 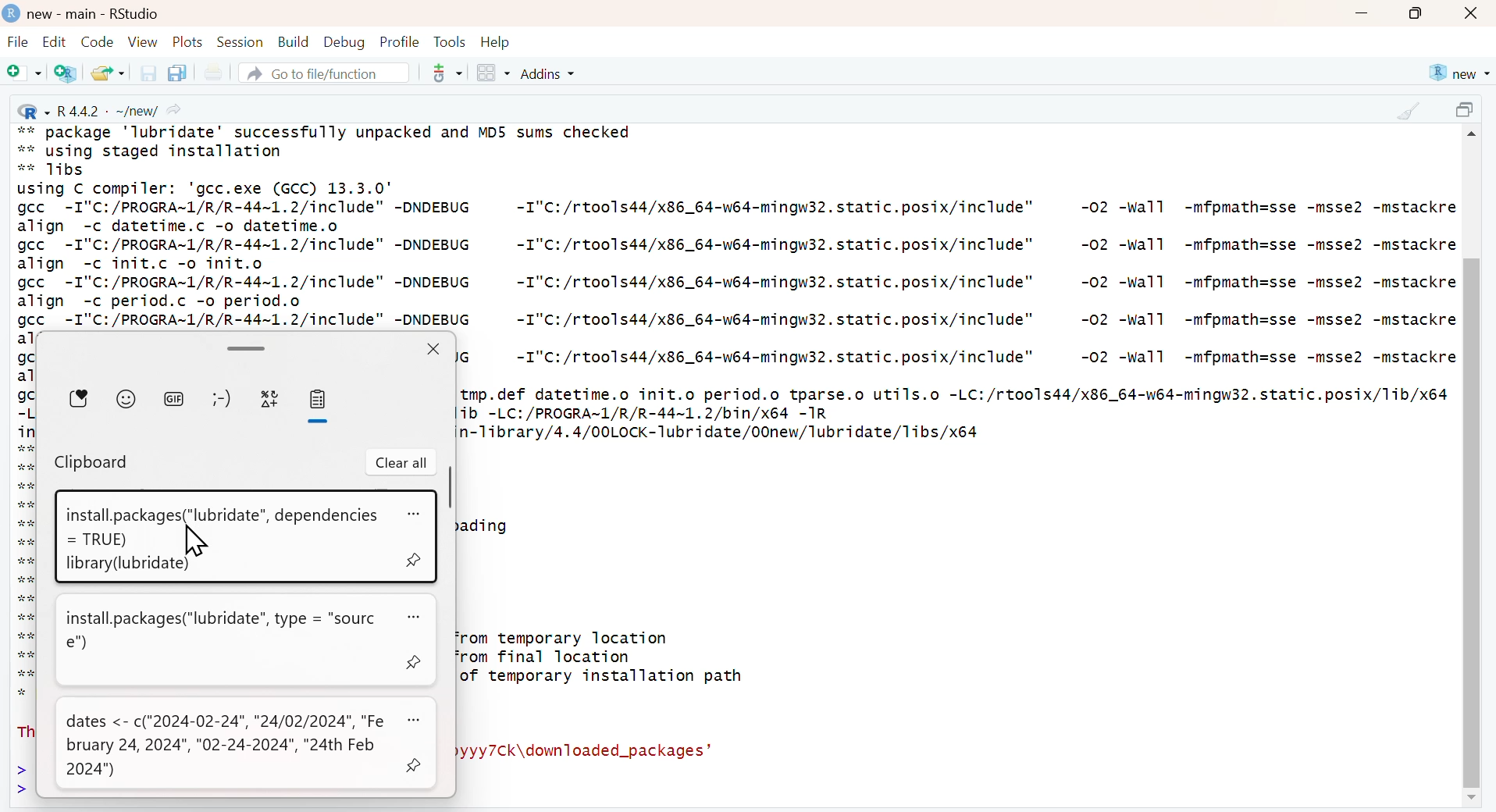 I want to click on more options, so click(x=416, y=719).